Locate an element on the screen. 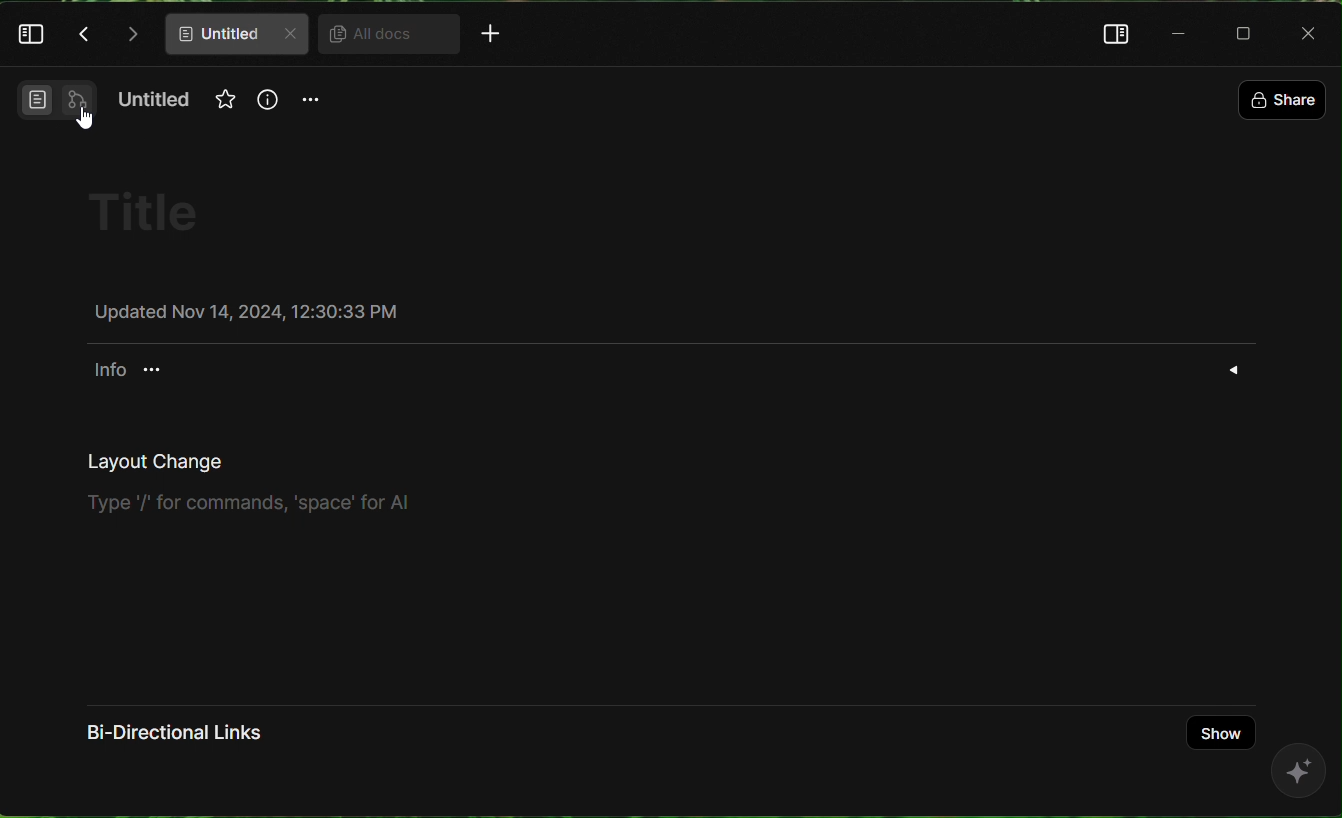 Image resolution: width=1342 pixels, height=818 pixels. name is located at coordinates (157, 103).